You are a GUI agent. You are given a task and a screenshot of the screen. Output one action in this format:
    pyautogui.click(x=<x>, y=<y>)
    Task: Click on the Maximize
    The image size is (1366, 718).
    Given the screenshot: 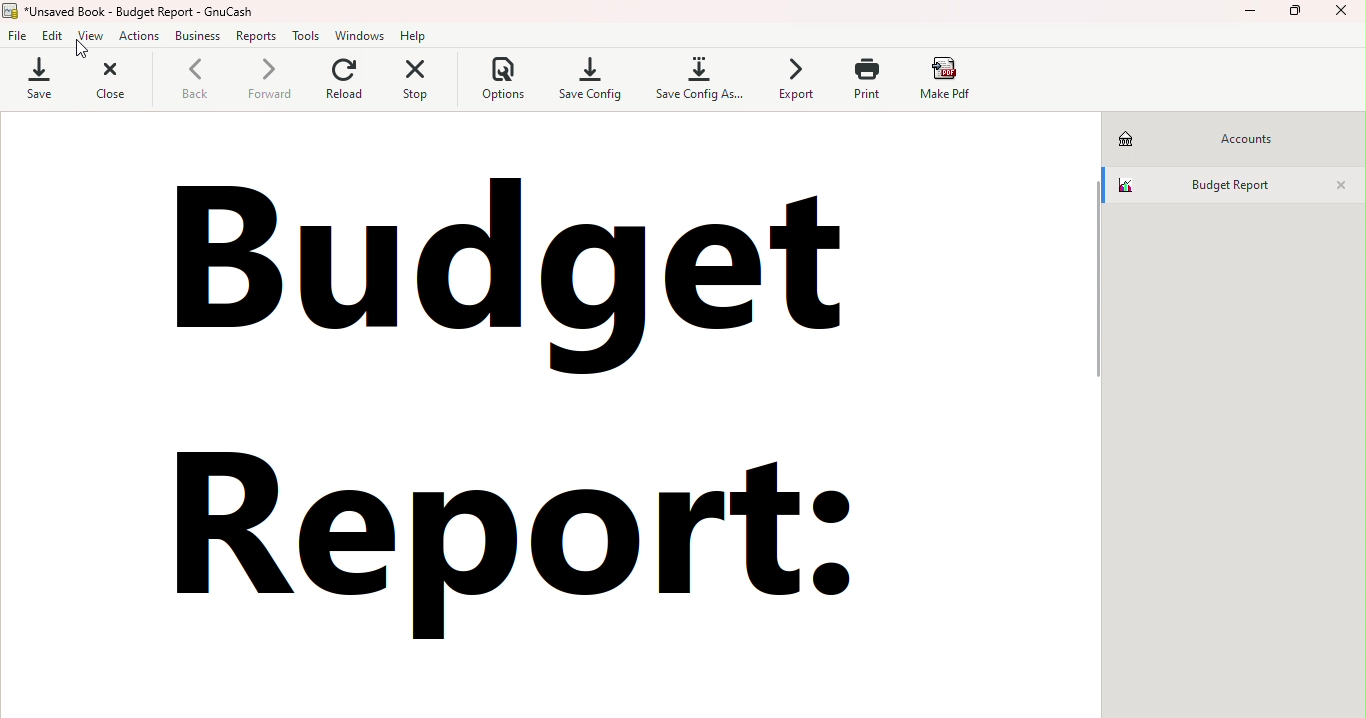 What is the action you would take?
    pyautogui.click(x=1302, y=15)
    